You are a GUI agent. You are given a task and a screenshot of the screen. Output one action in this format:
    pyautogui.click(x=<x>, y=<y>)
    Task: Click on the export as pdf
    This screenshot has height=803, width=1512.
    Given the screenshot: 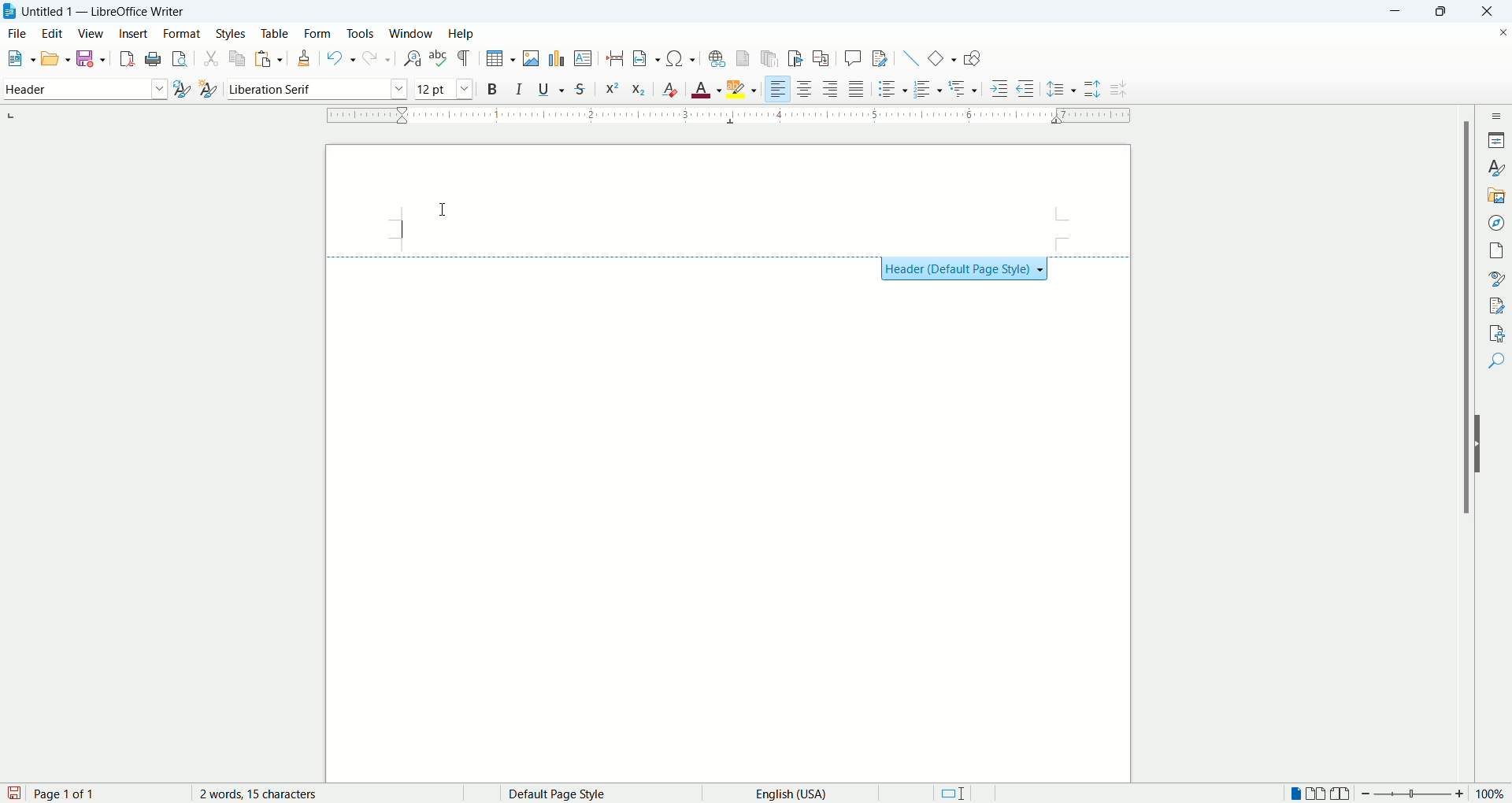 What is the action you would take?
    pyautogui.click(x=124, y=59)
    